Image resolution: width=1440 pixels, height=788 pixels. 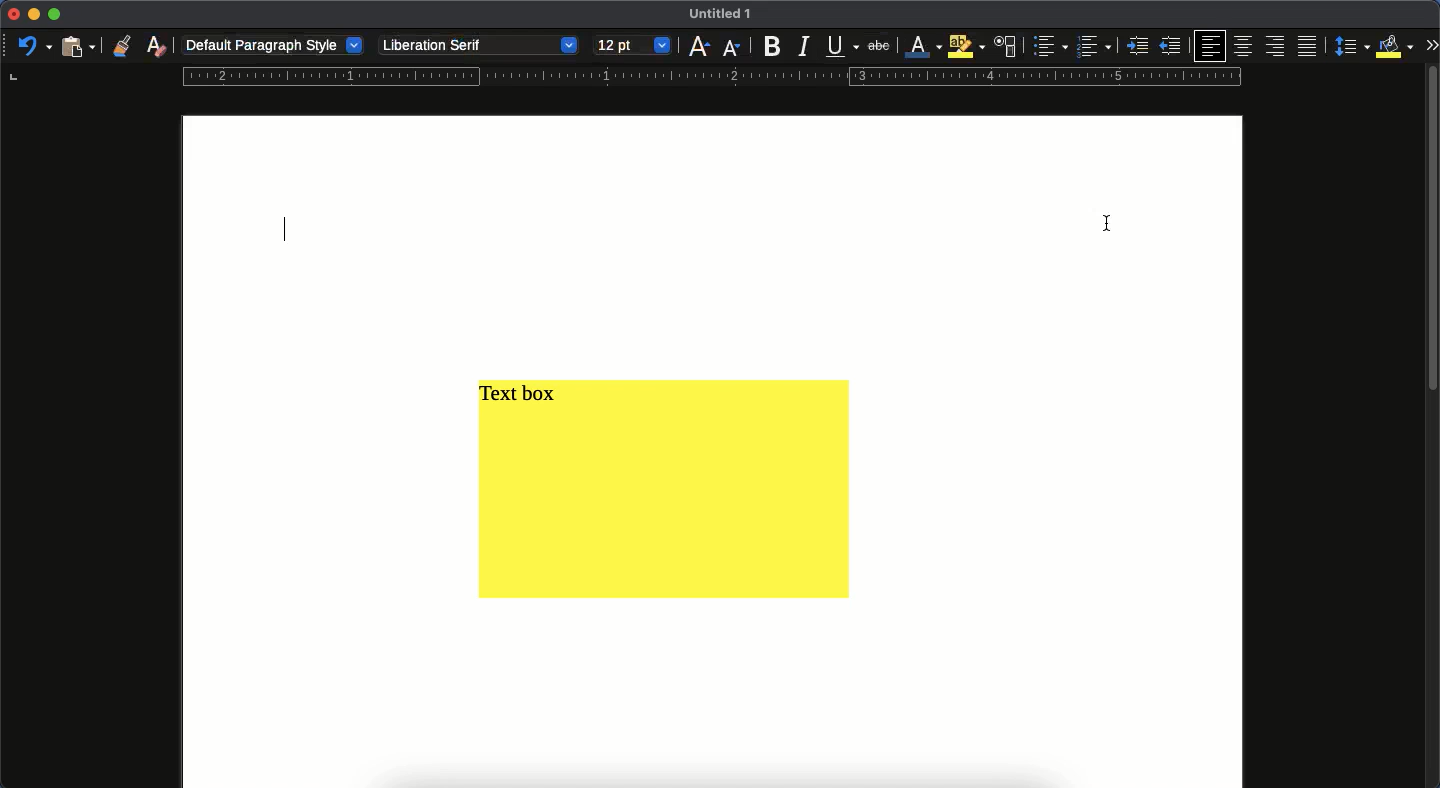 What do you see at coordinates (1310, 48) in the screenshot?
I see `justify` at bounding box center [1310, 48].